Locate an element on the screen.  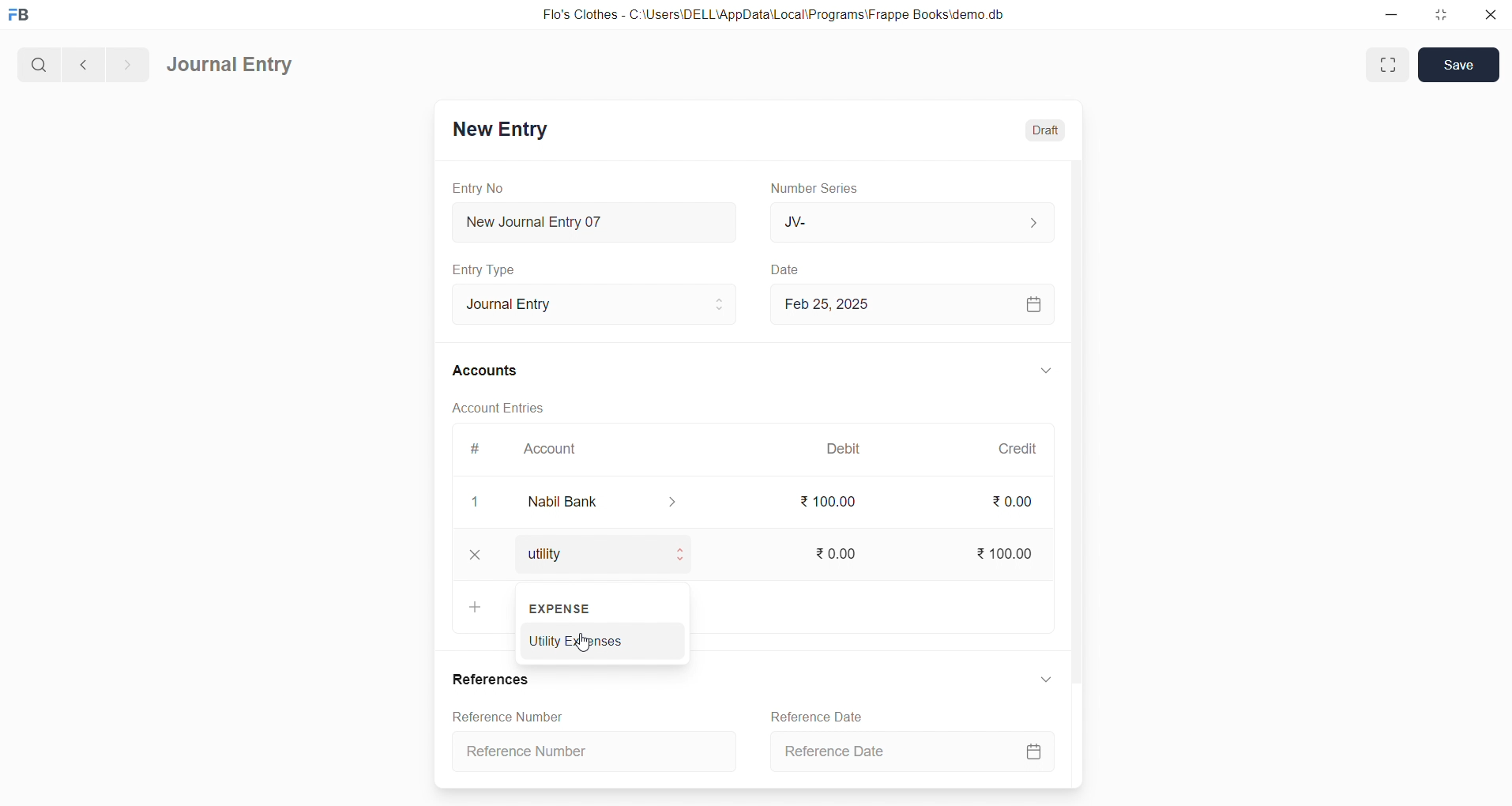
Account is located at coordinates (615, 502).